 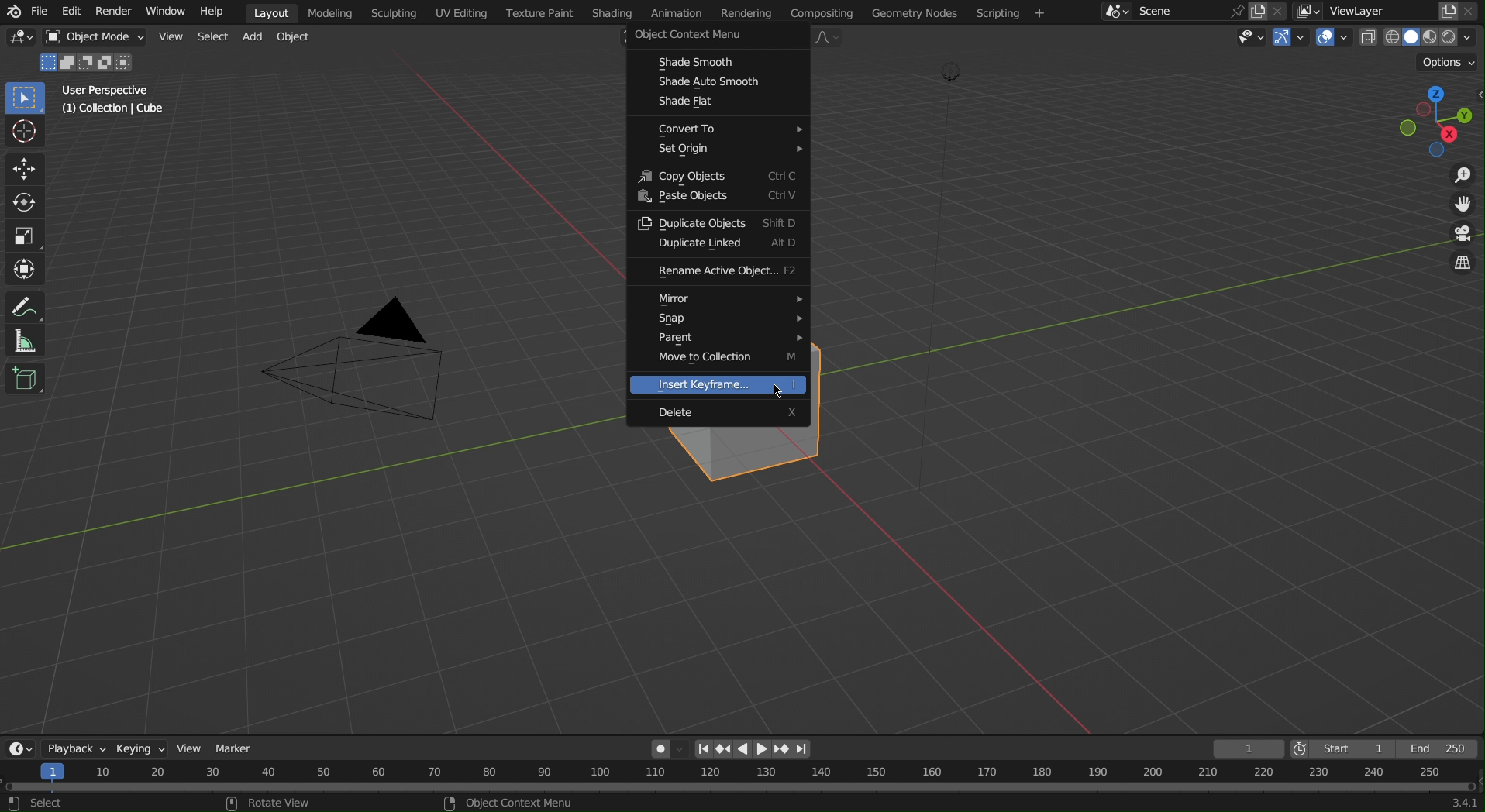 What do you see at coordinates (719, 243) in the screenshot?
I see `Duplicate Linked` at bounding box center [719, 243].